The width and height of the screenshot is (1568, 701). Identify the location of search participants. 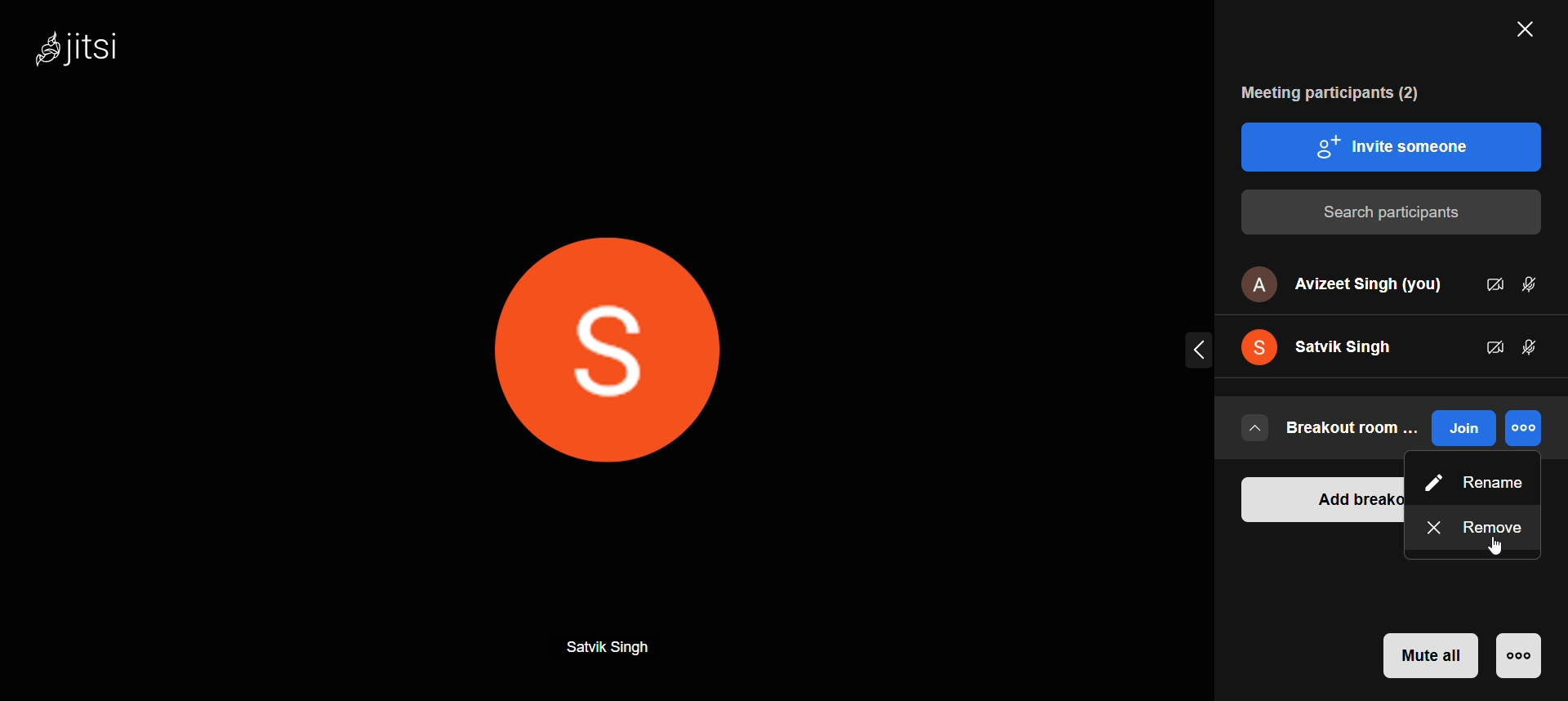
(1390, 212).